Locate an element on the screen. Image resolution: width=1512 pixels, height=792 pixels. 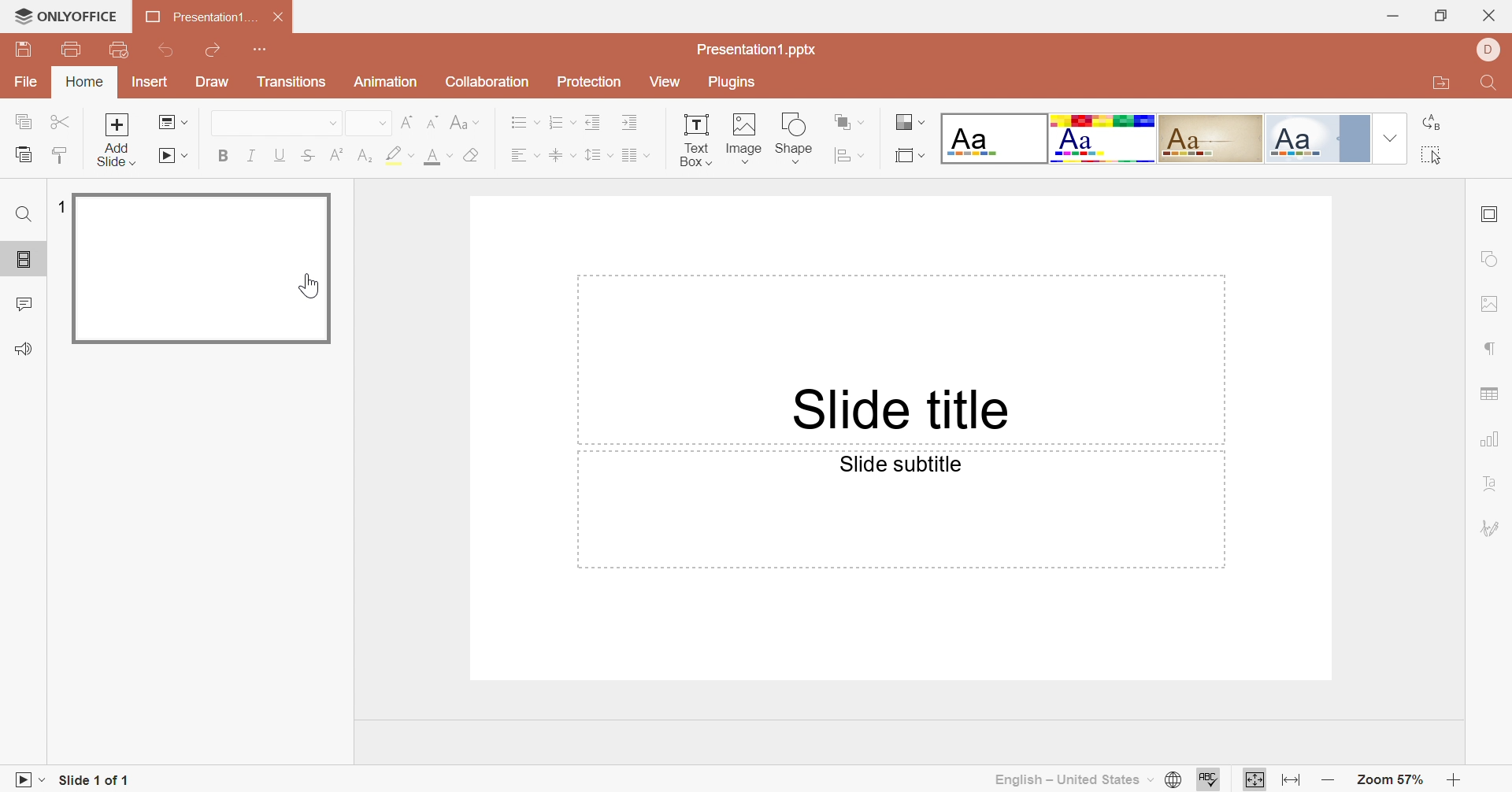
Insert column is located at coordinates (629, 157).